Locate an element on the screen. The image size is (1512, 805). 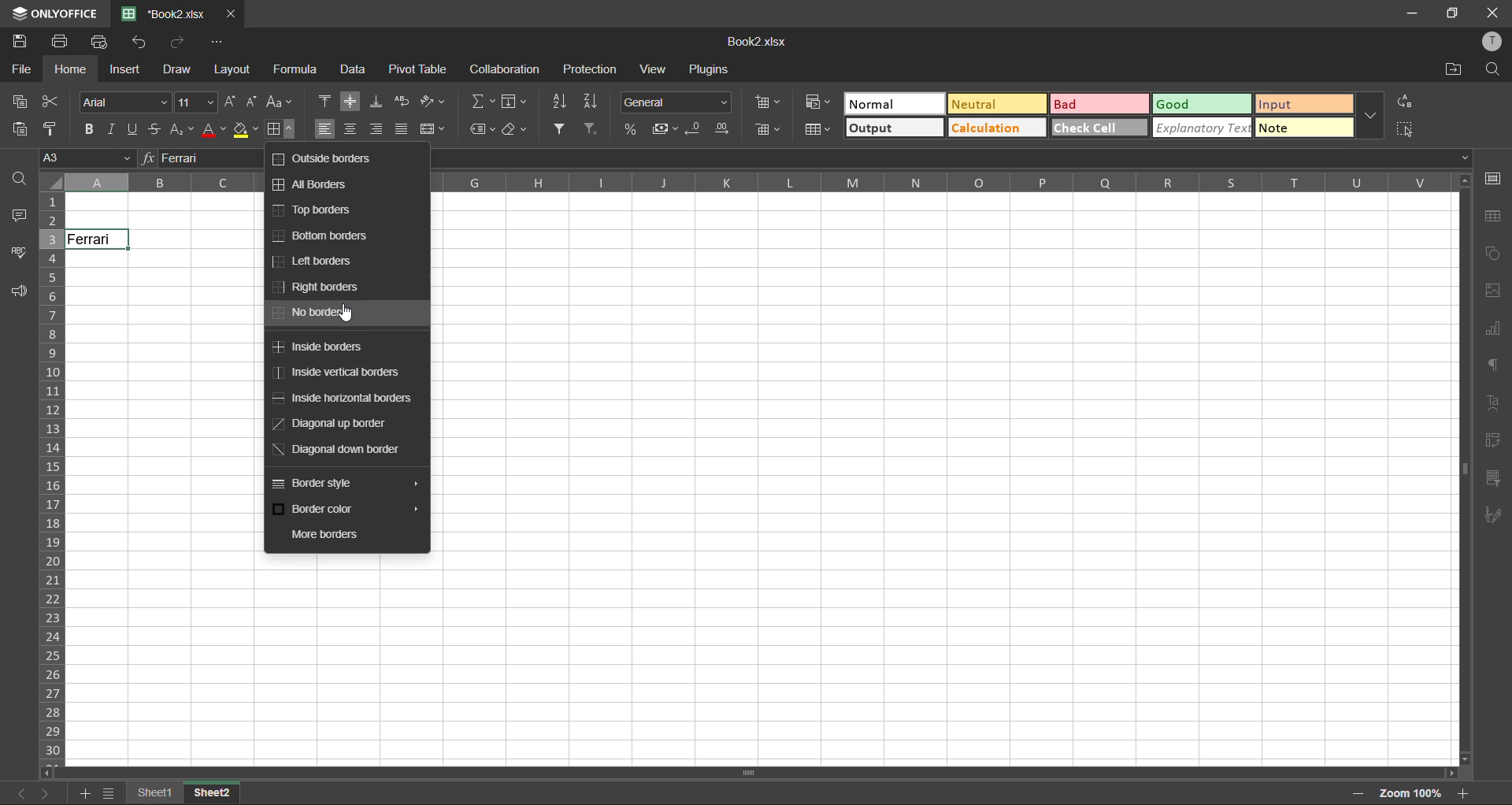
explanatory text is located at coordinates (1202, 128).